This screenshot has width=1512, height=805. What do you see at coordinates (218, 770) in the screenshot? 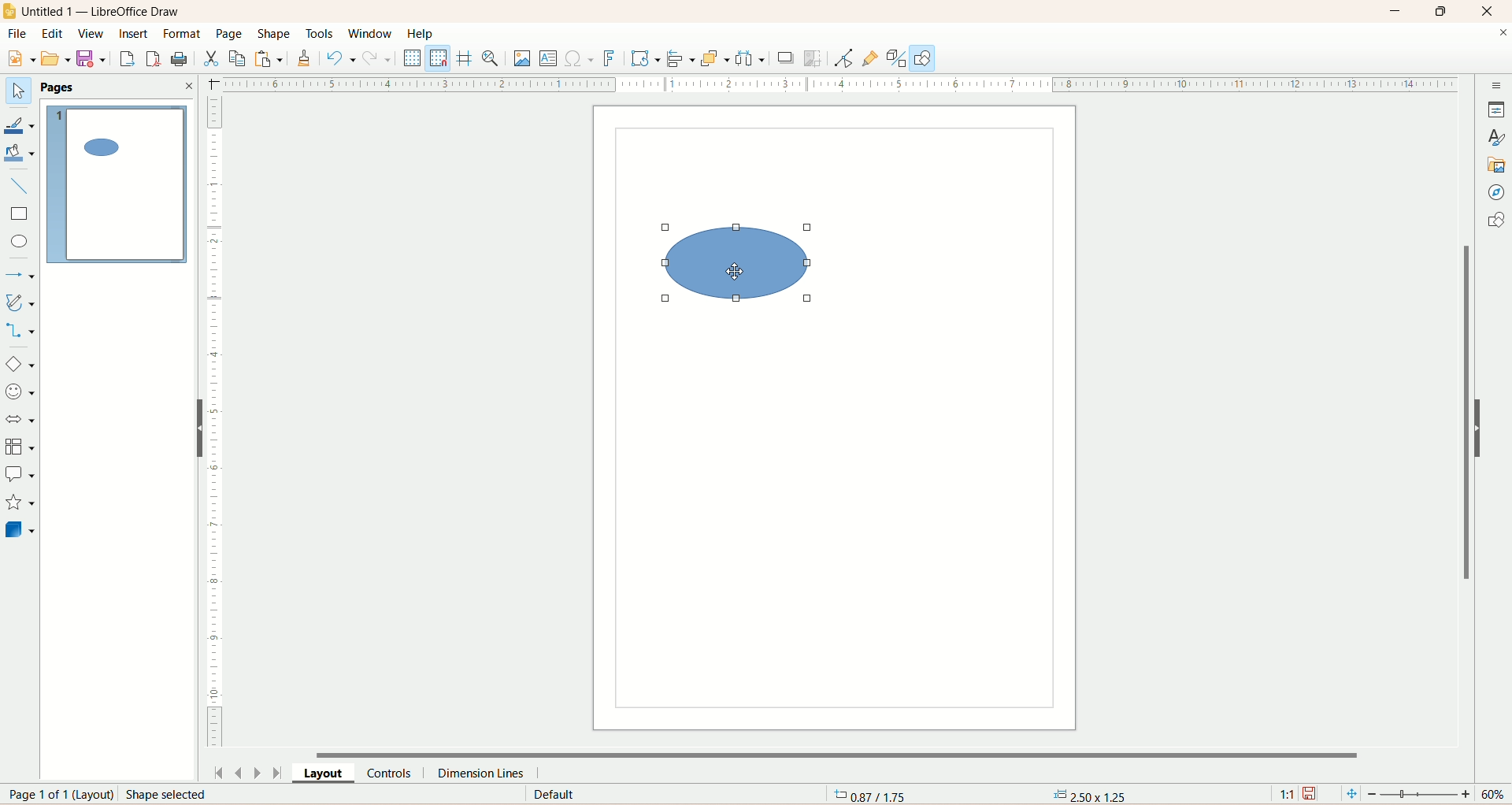
I see `first page` at bounding box center [218, 770].